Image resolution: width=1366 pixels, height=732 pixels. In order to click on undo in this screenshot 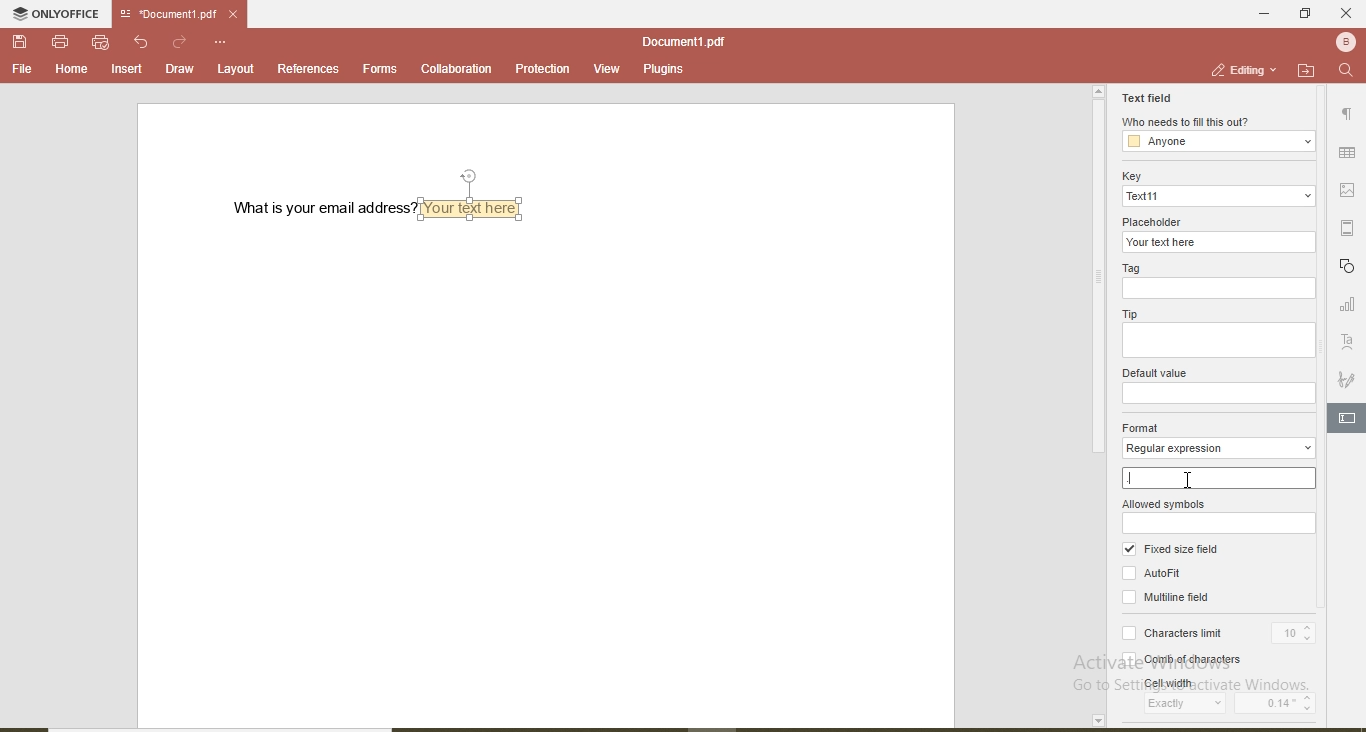, I will do `click(144, 42)`.